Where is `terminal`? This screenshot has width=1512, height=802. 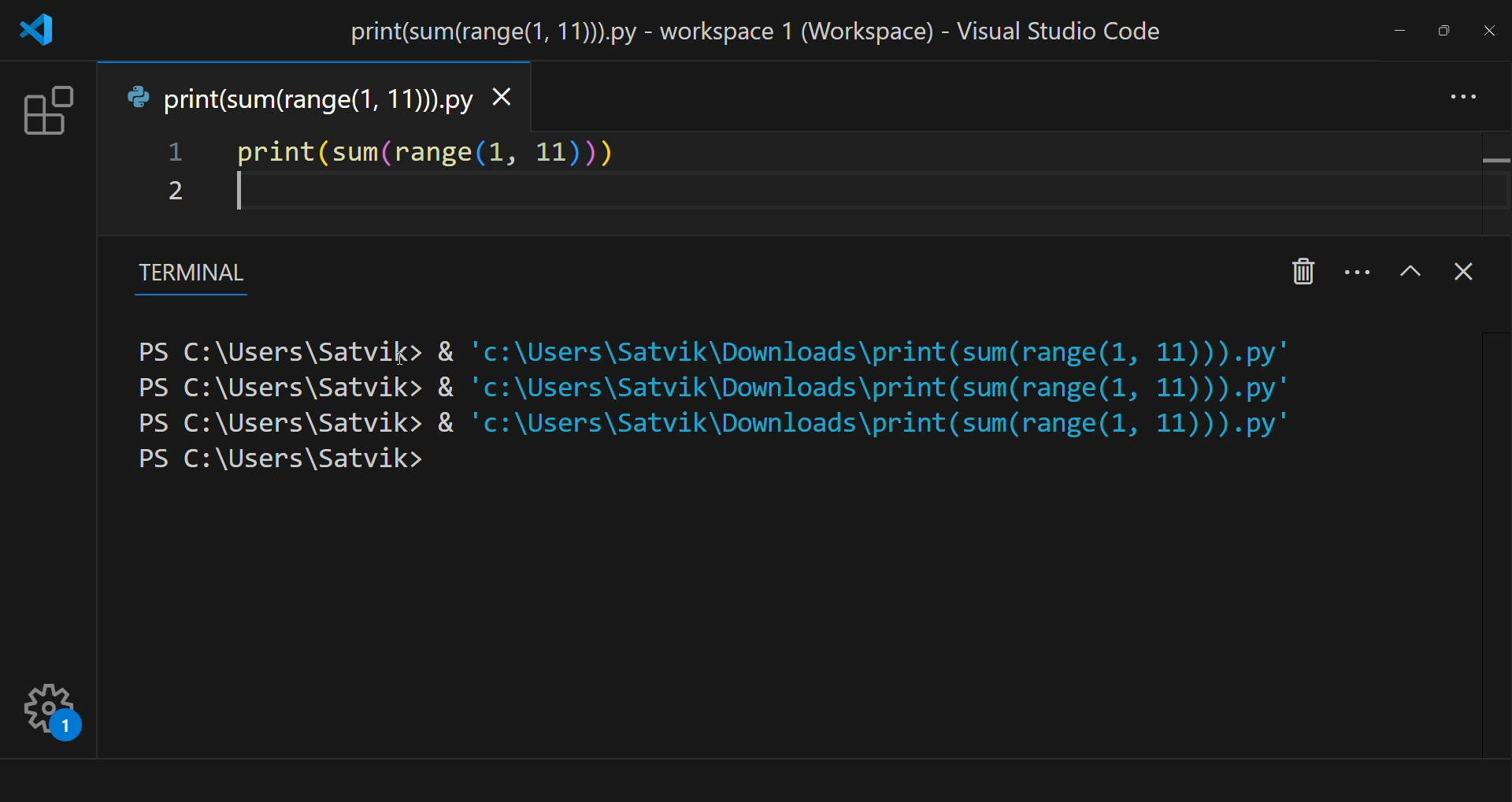 terminal is located at coordinates (184, 278).